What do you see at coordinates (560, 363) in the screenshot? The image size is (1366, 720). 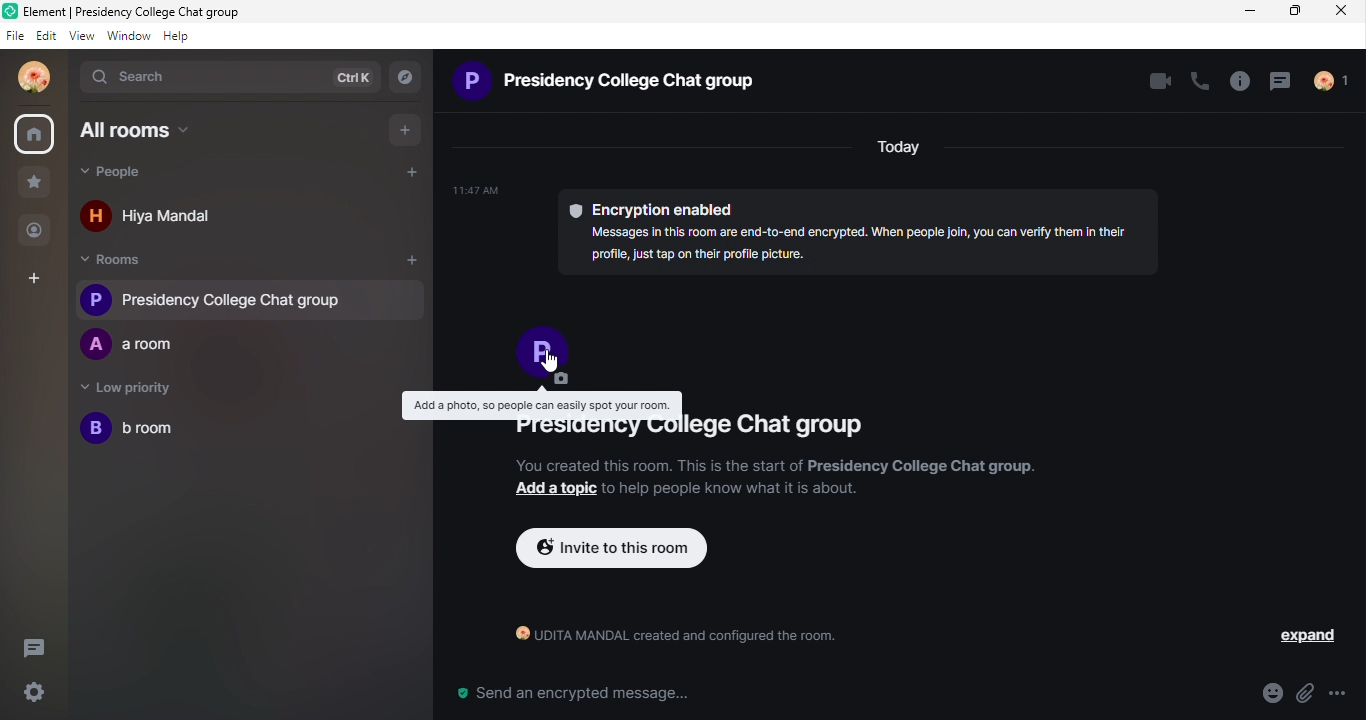 I see `cursor movement` at bounding box center [560, 363].